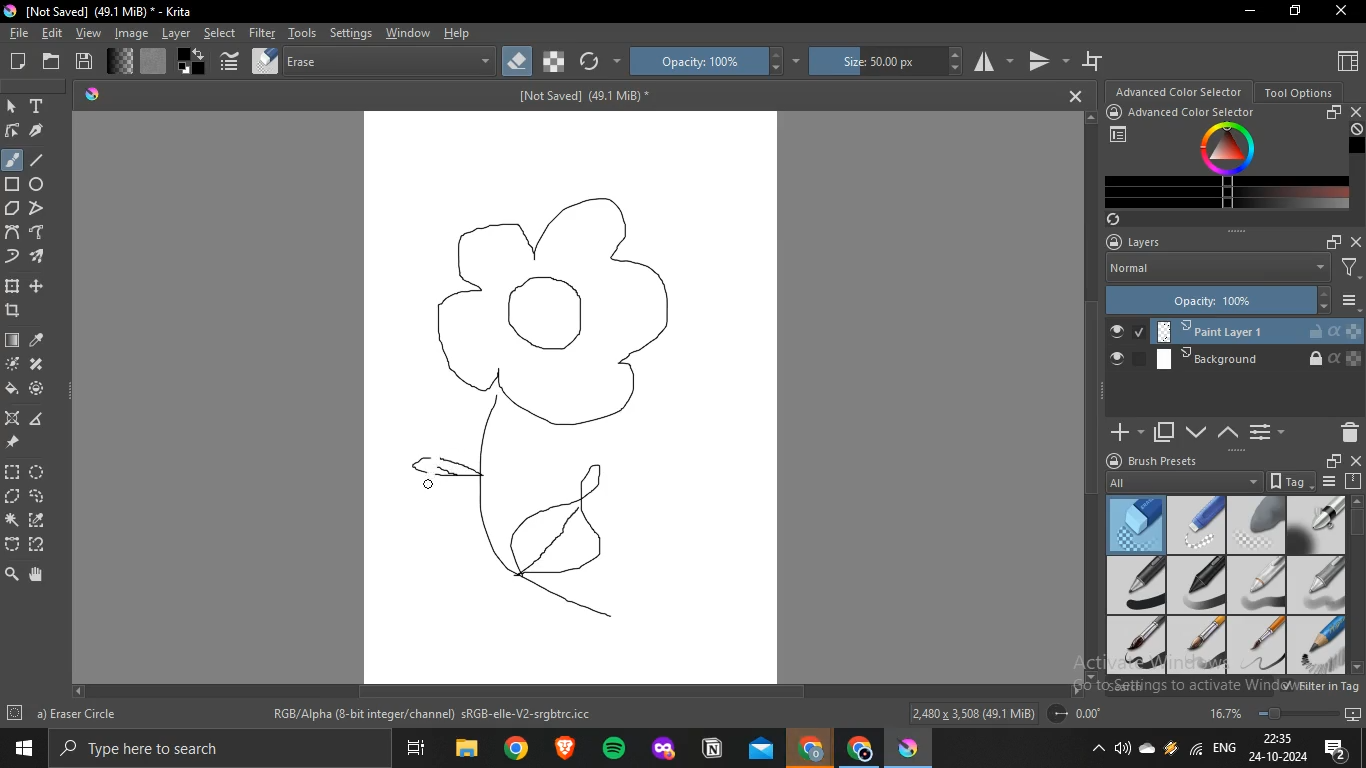 Image resolution: width=1366 pixels, height=768 pixels. What do you see at coordinates (761, 749) in the screenshot?
I see `Application` at bounding box center [761, 749].